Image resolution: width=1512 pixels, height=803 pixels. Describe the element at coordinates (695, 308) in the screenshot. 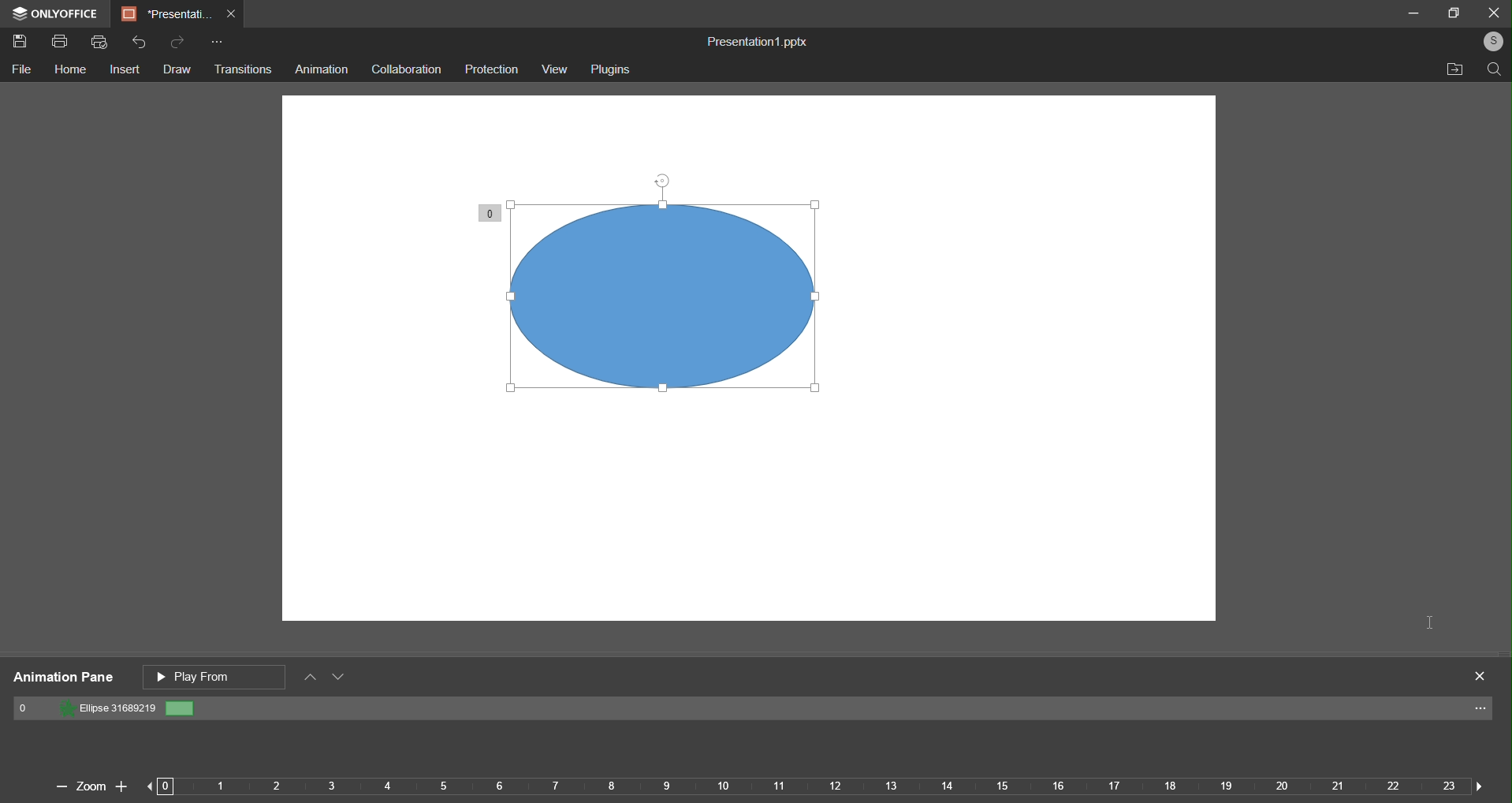

I see `object` at that location.